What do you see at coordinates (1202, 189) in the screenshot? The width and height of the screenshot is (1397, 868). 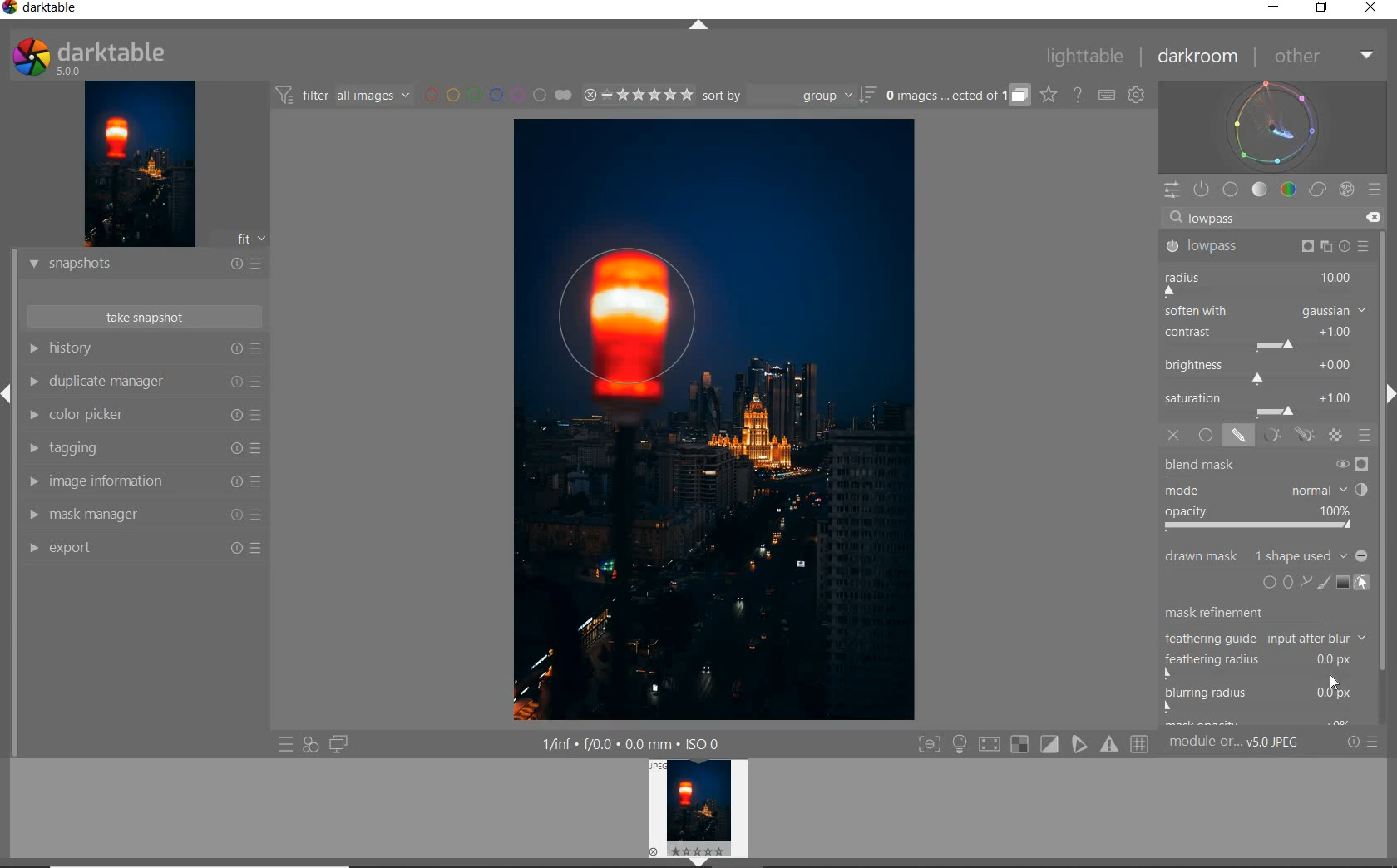 I see `SHOW ONLY ACTIVE MODULES` at bounding box center [1202, 189].